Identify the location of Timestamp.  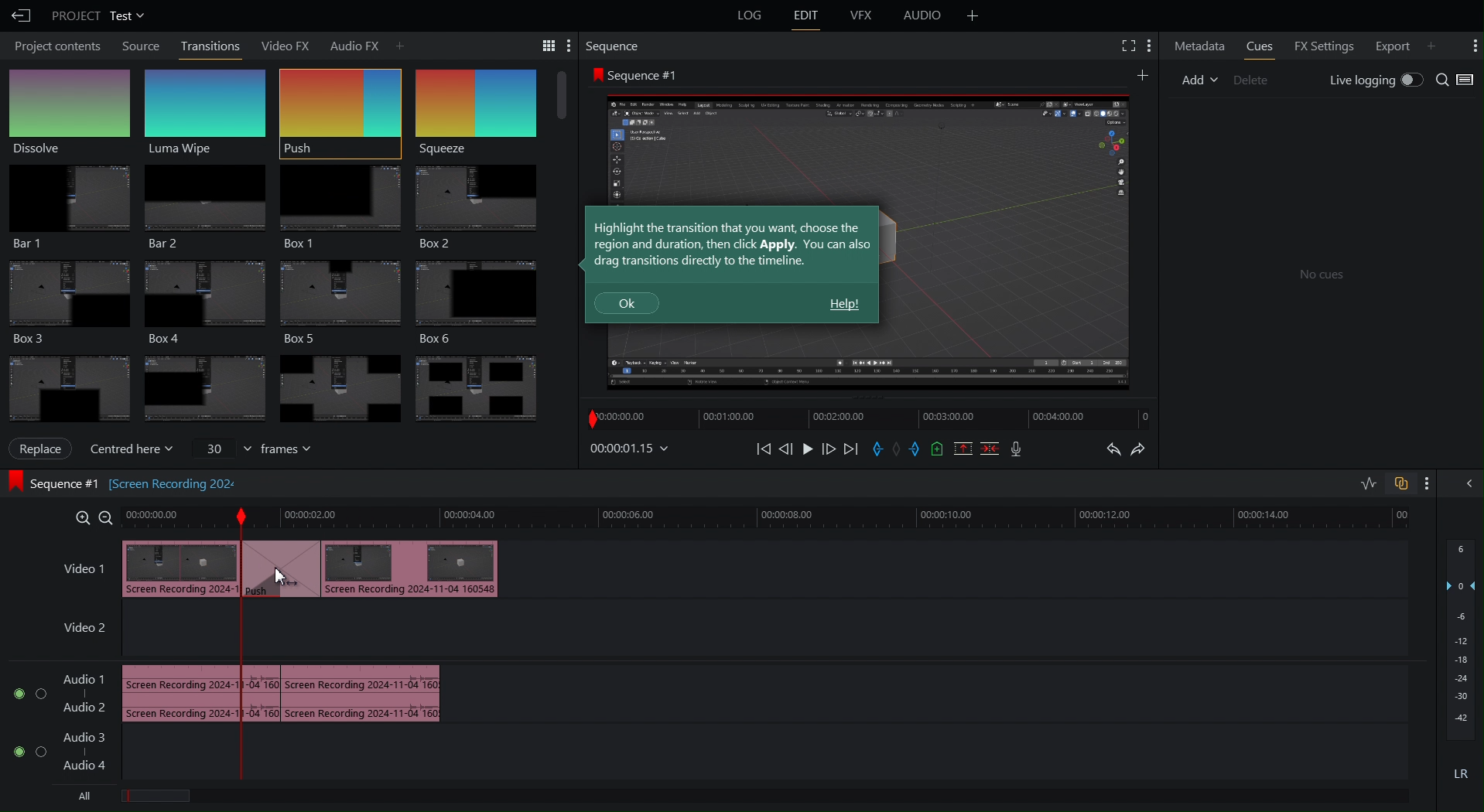
(630, 448).